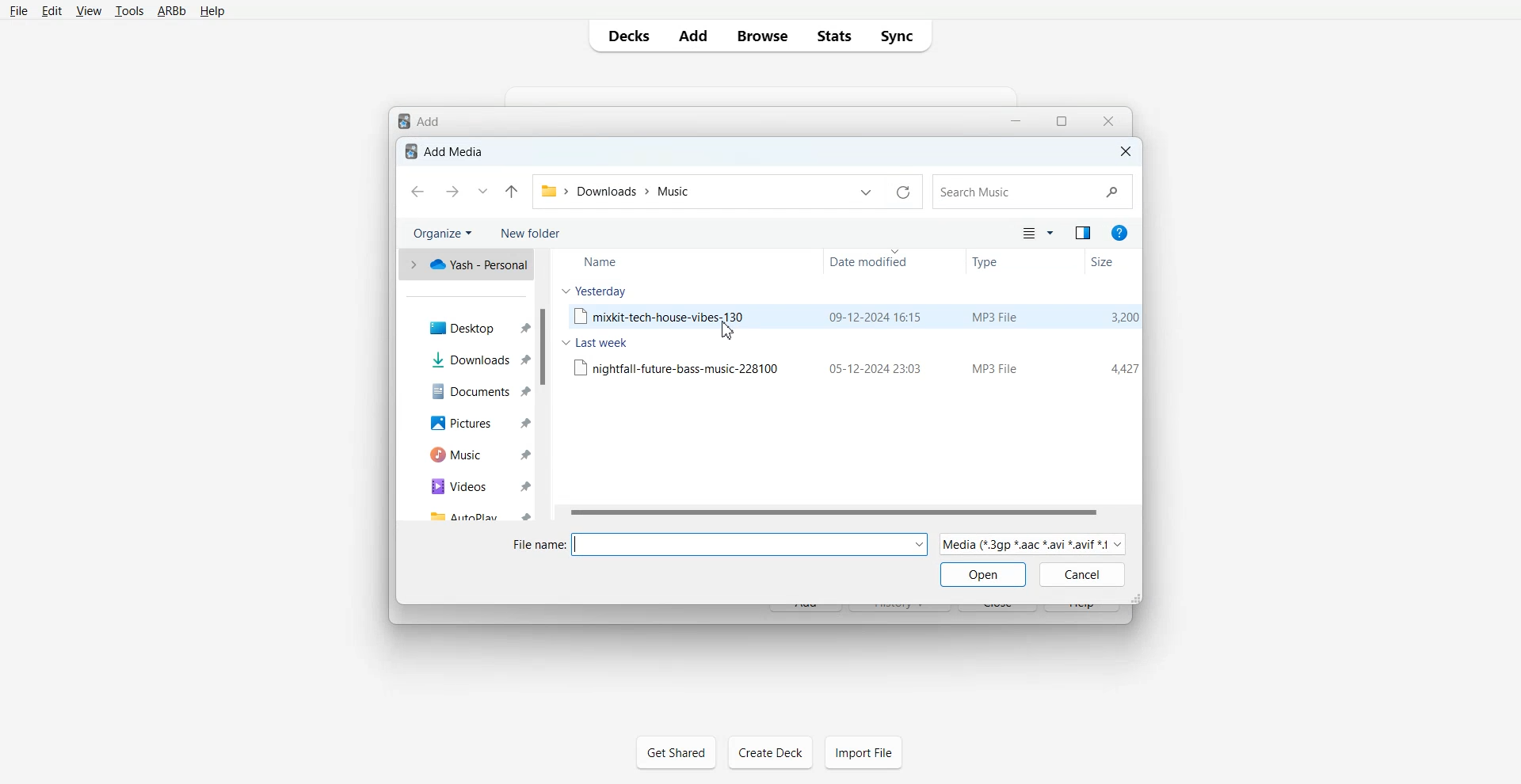 The width and height of the screenshot is (1521, 784). I want to click on Desktop, so click(478, 325).